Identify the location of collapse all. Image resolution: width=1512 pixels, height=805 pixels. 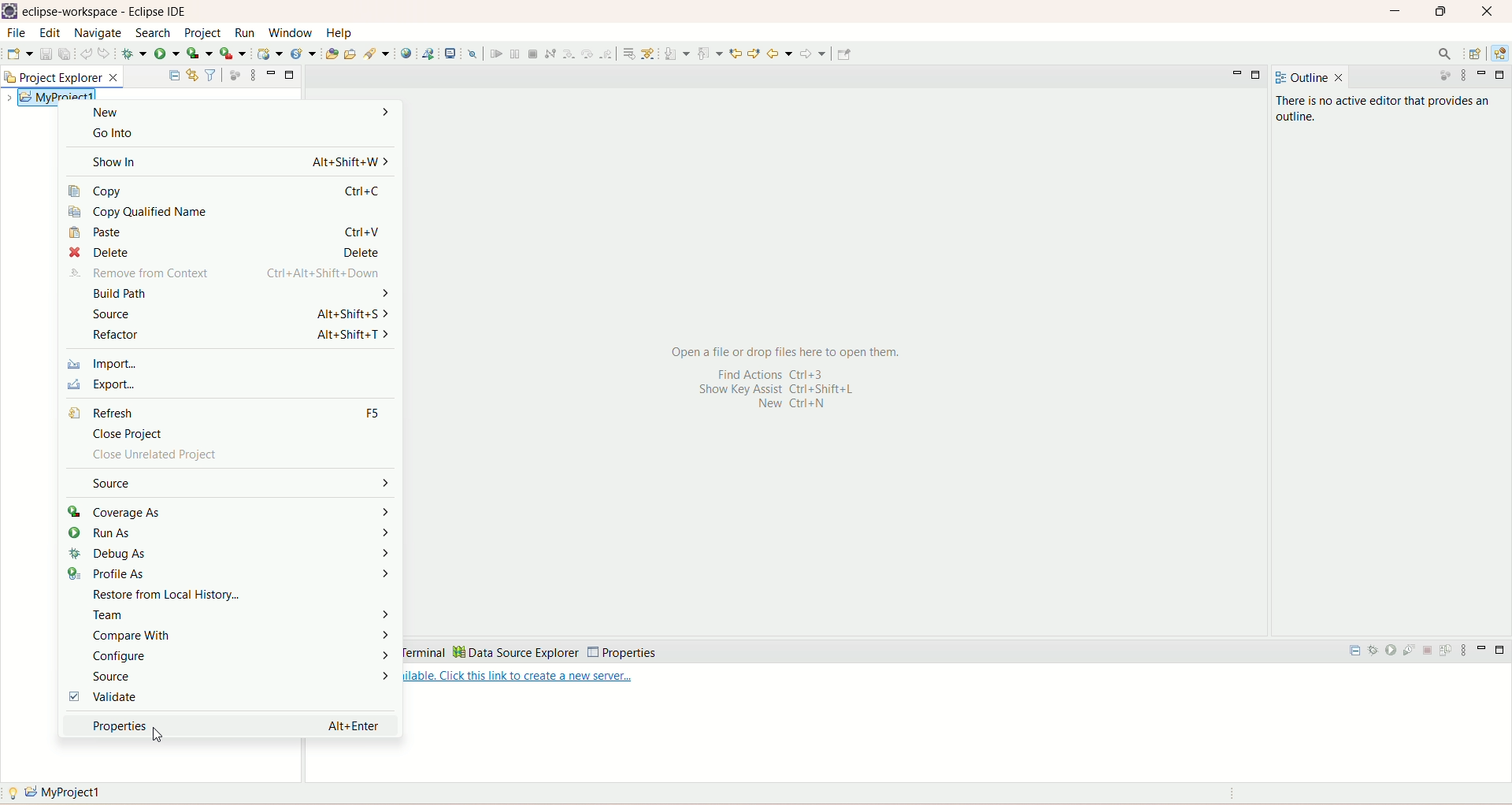
(1355, 655).